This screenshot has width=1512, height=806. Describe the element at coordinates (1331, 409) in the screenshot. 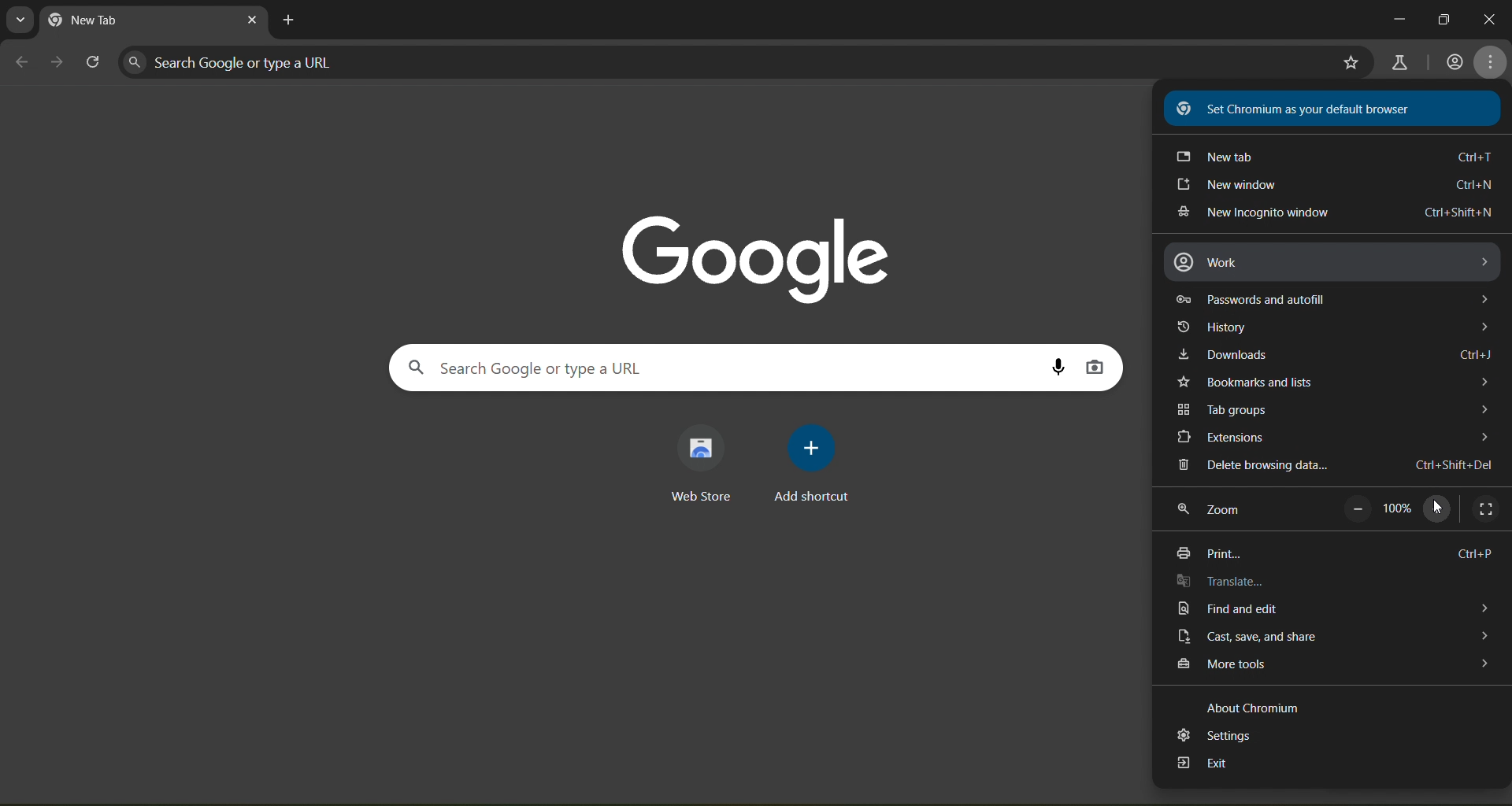

I see `tab groups` at that location.